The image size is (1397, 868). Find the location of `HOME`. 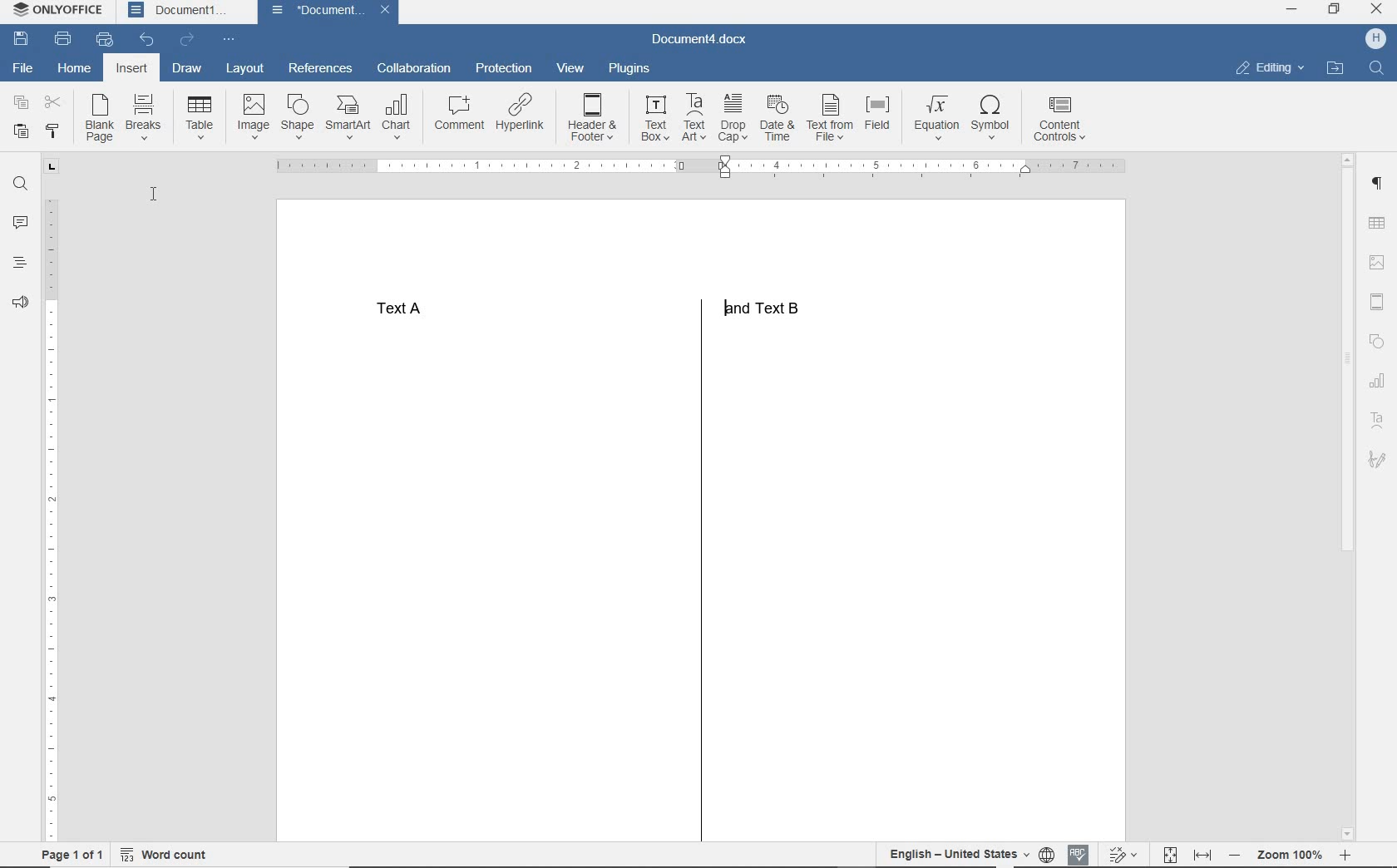

HOME is located at coordinates (74, 68).